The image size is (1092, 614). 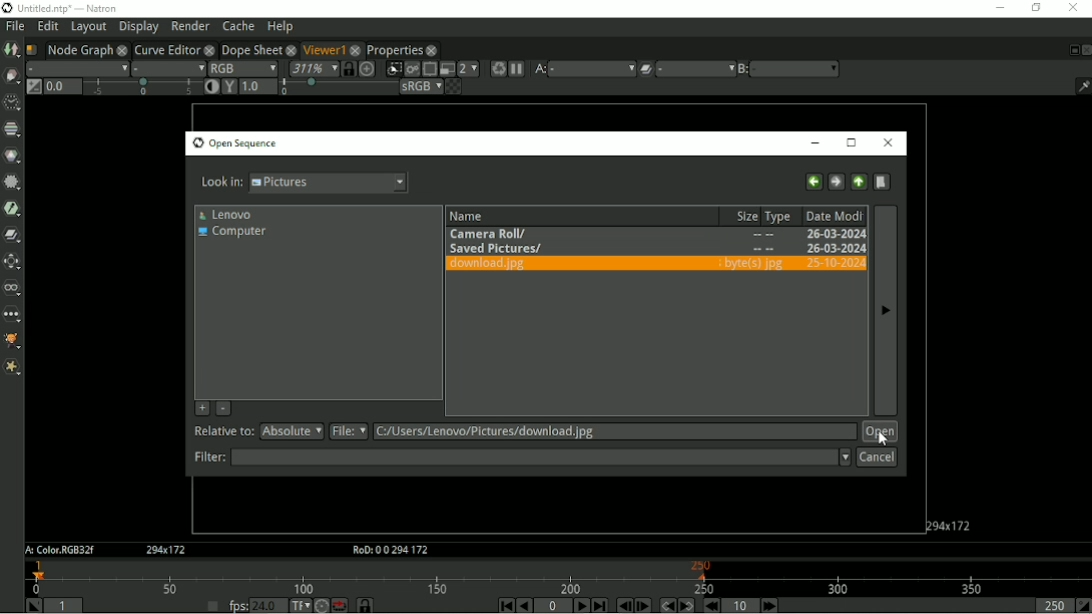 What do you see at coordinates (237, 606) in the screenshot?
I see `fps` at bounding box center [237, 606].